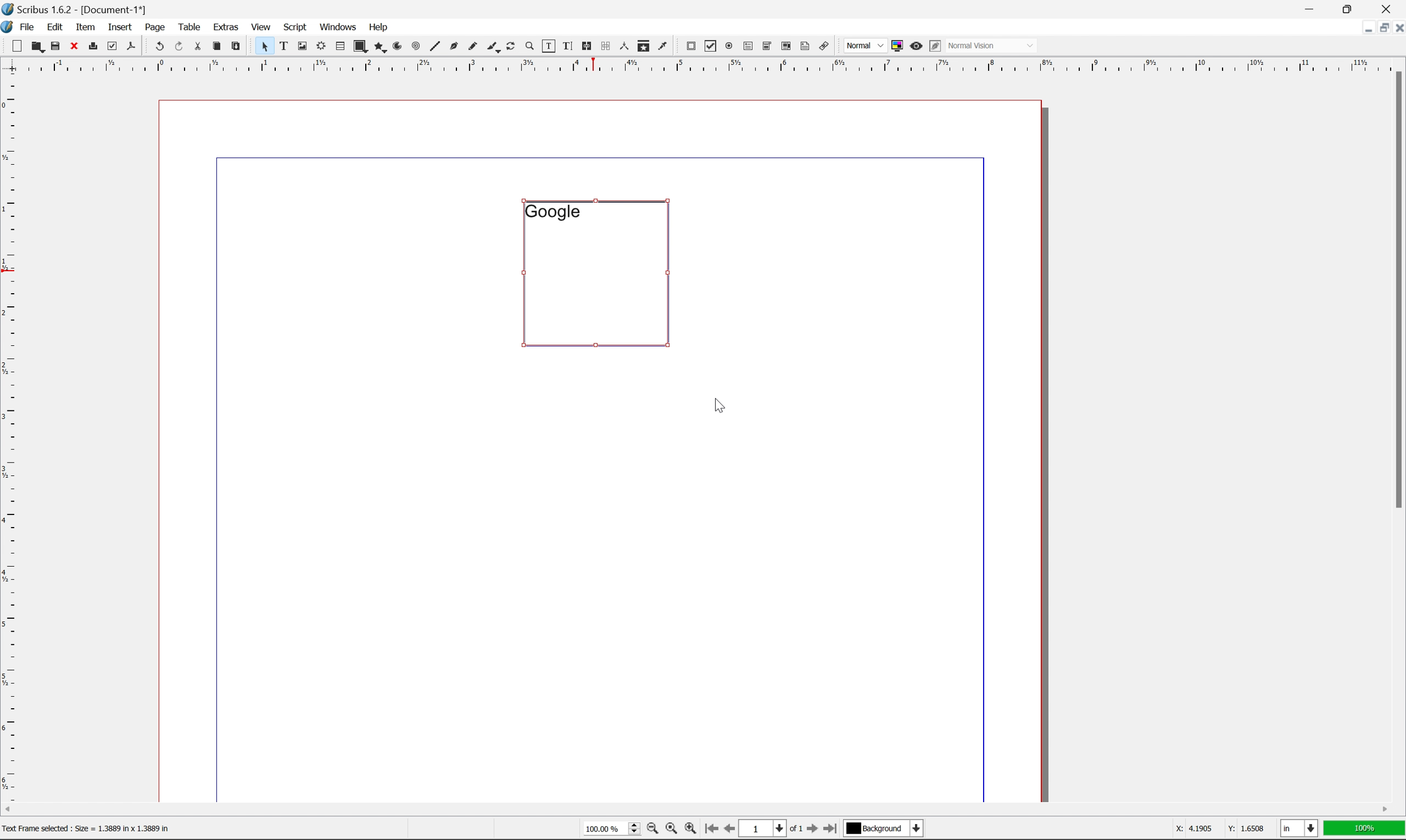 The image size is (1406, 840). Describe the element at coordinates (340, 47) in the screenshot. I see `table` at that location.